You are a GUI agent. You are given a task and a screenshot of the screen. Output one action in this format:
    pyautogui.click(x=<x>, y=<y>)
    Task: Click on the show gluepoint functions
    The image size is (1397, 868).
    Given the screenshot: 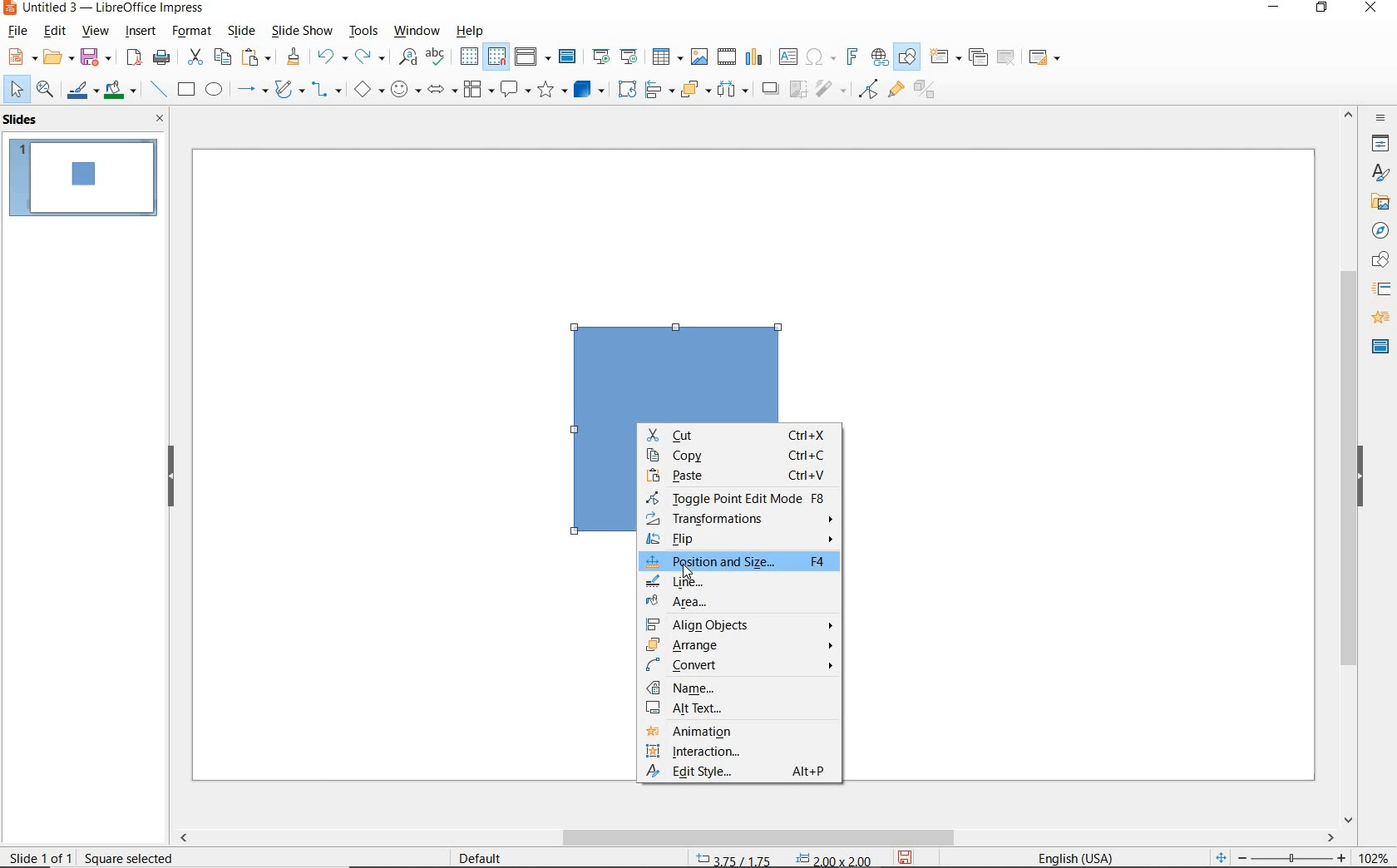 What is the action you would take?
    pyautogui.click(x=895, y=91)
    